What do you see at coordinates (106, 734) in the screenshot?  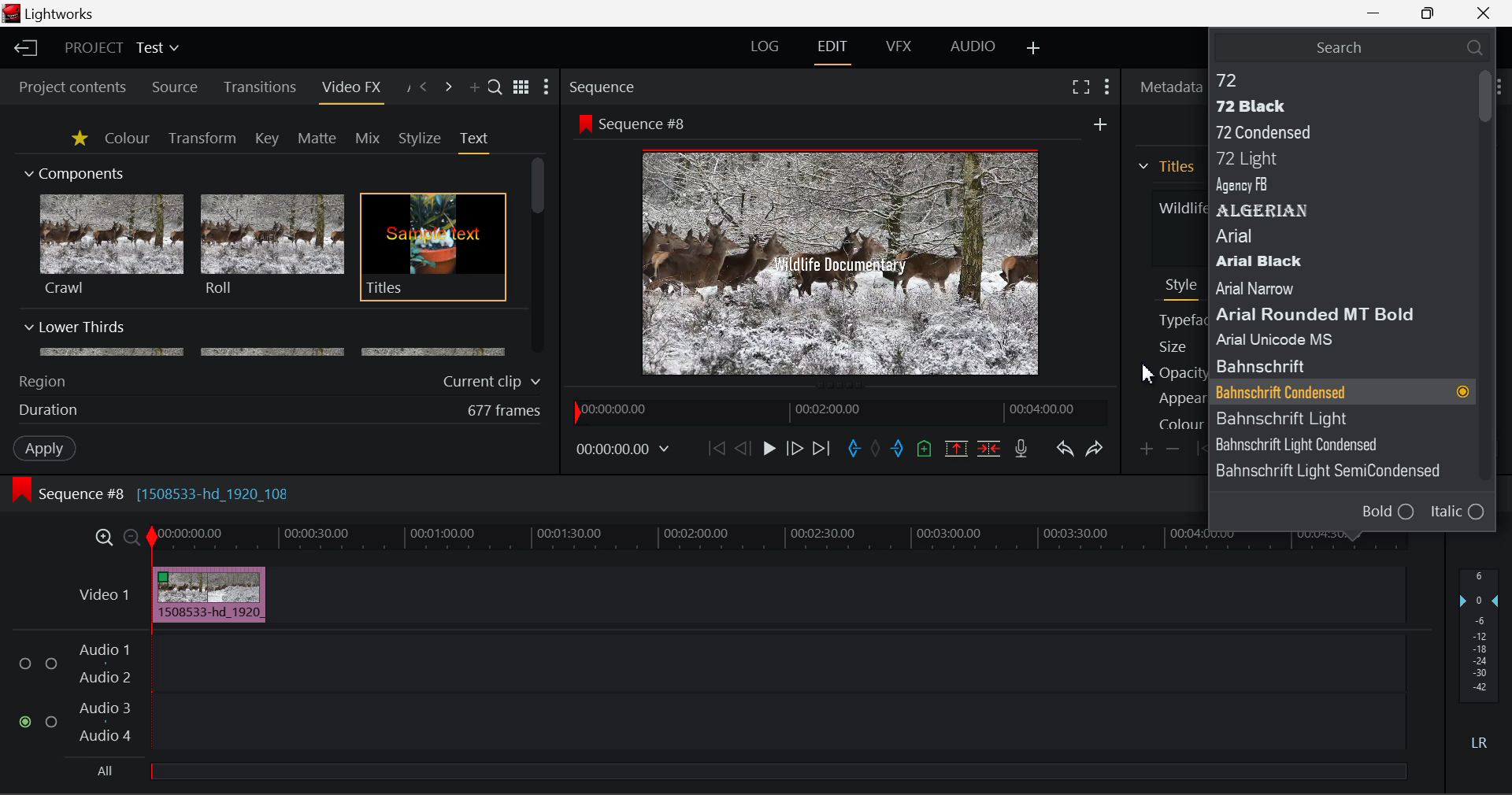 I see `Audio 4` at bounding box center [106, 734].